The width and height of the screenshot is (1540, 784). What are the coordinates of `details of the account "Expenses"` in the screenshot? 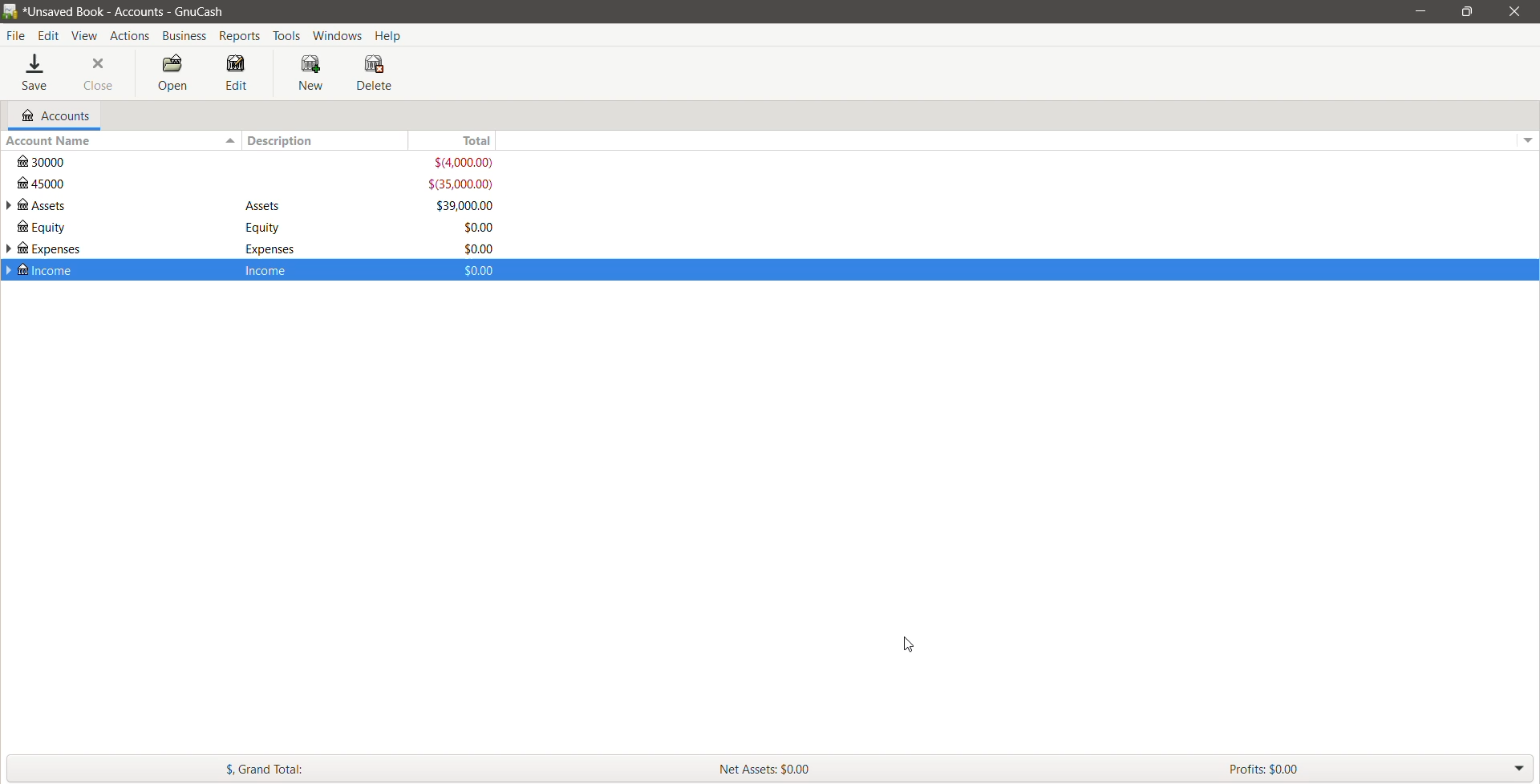 It's located at (265, 249).